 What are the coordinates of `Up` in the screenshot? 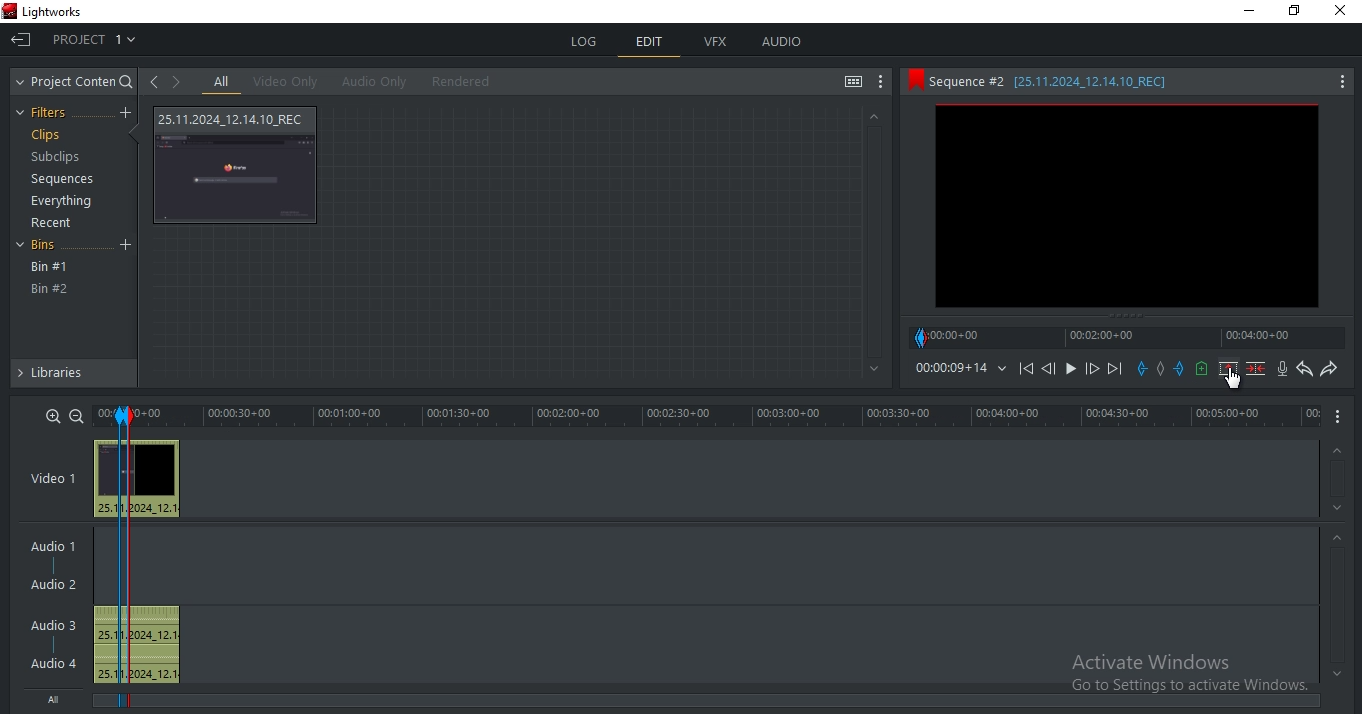 It's located at (1338, 537).